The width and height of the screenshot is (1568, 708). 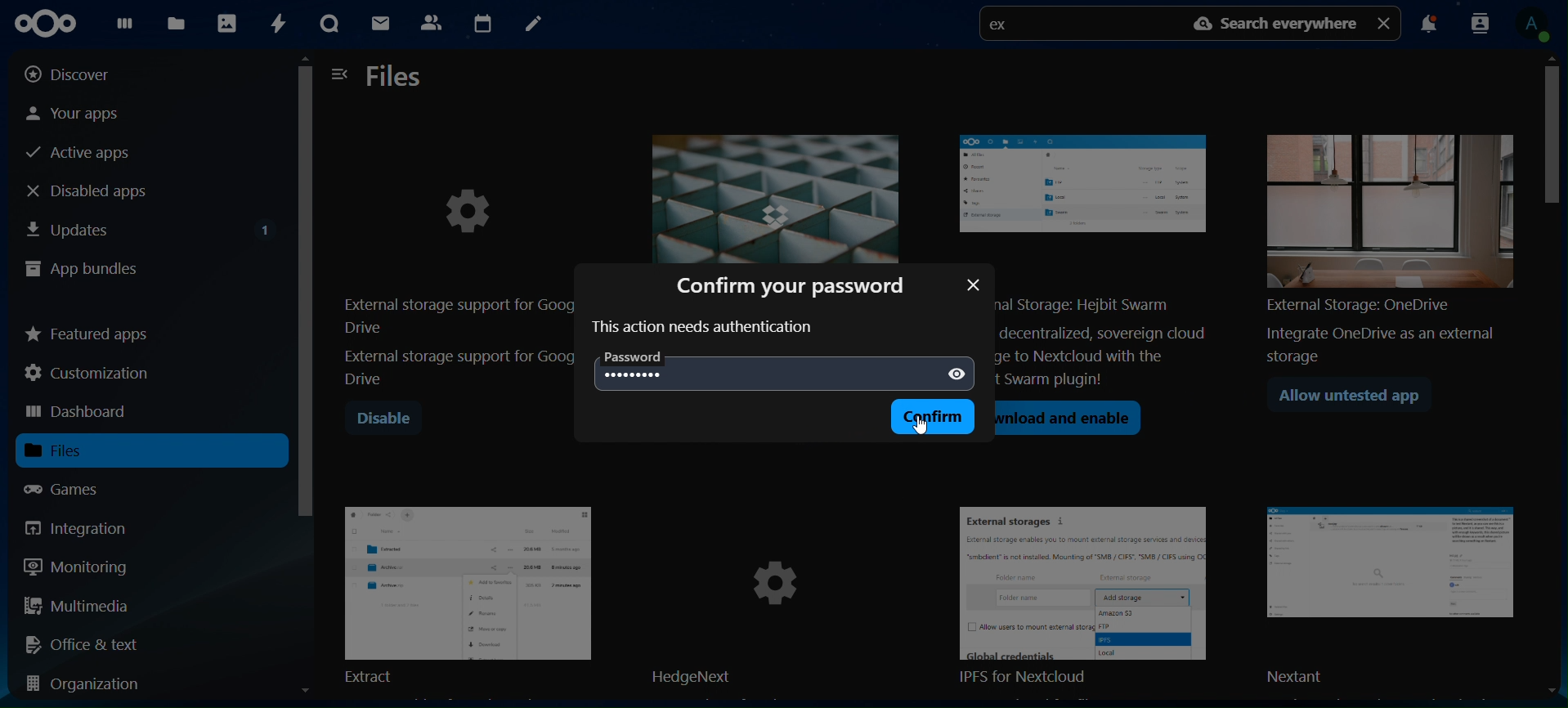 What do you see at coordinates (1553, 373) in the screenshot?
I see `scrollbar` at bounding box center [1553, 373].